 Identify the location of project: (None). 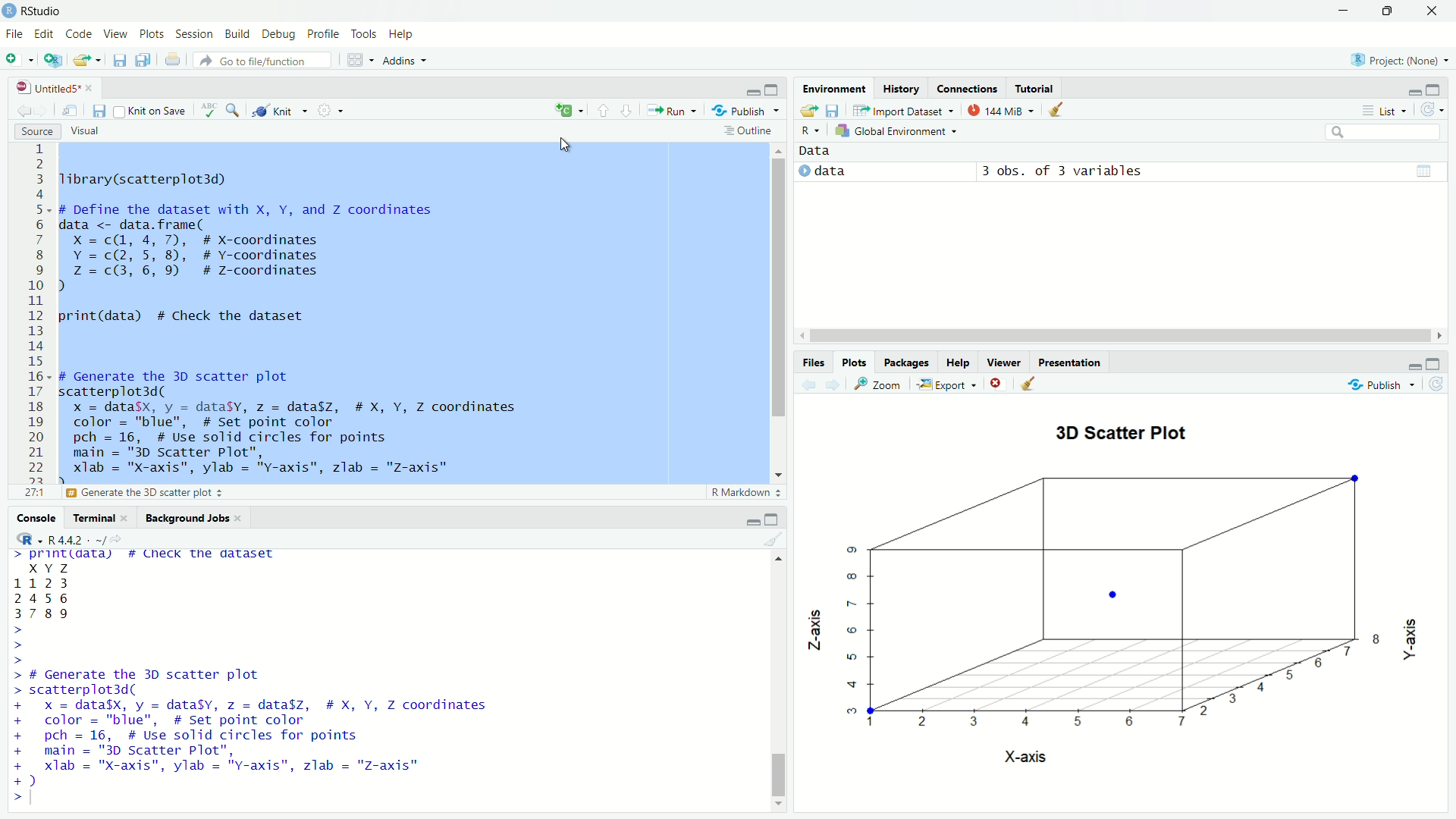
(1403, 60).